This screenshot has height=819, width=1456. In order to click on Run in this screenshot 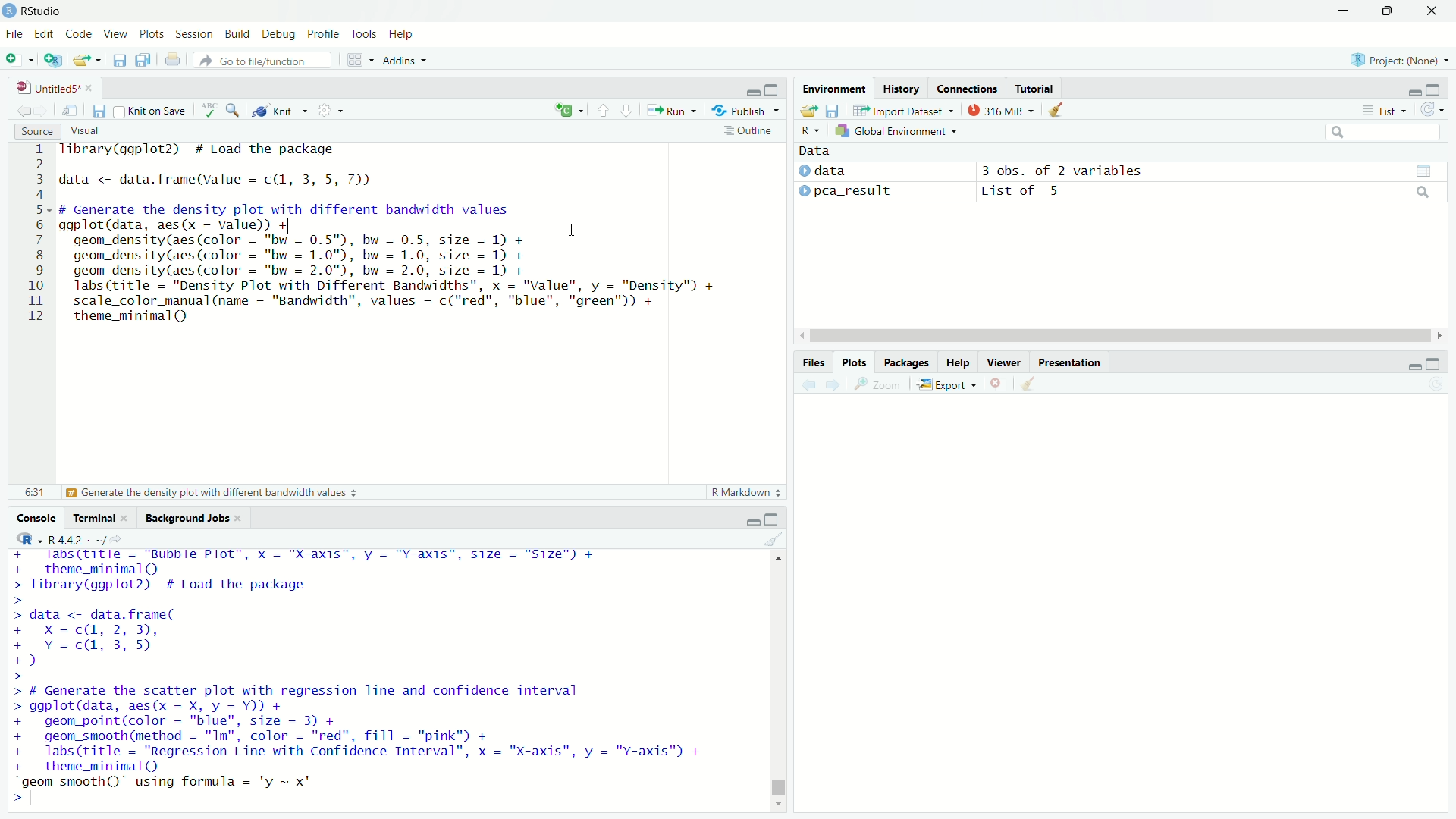, I will do `click(671, 110)`.